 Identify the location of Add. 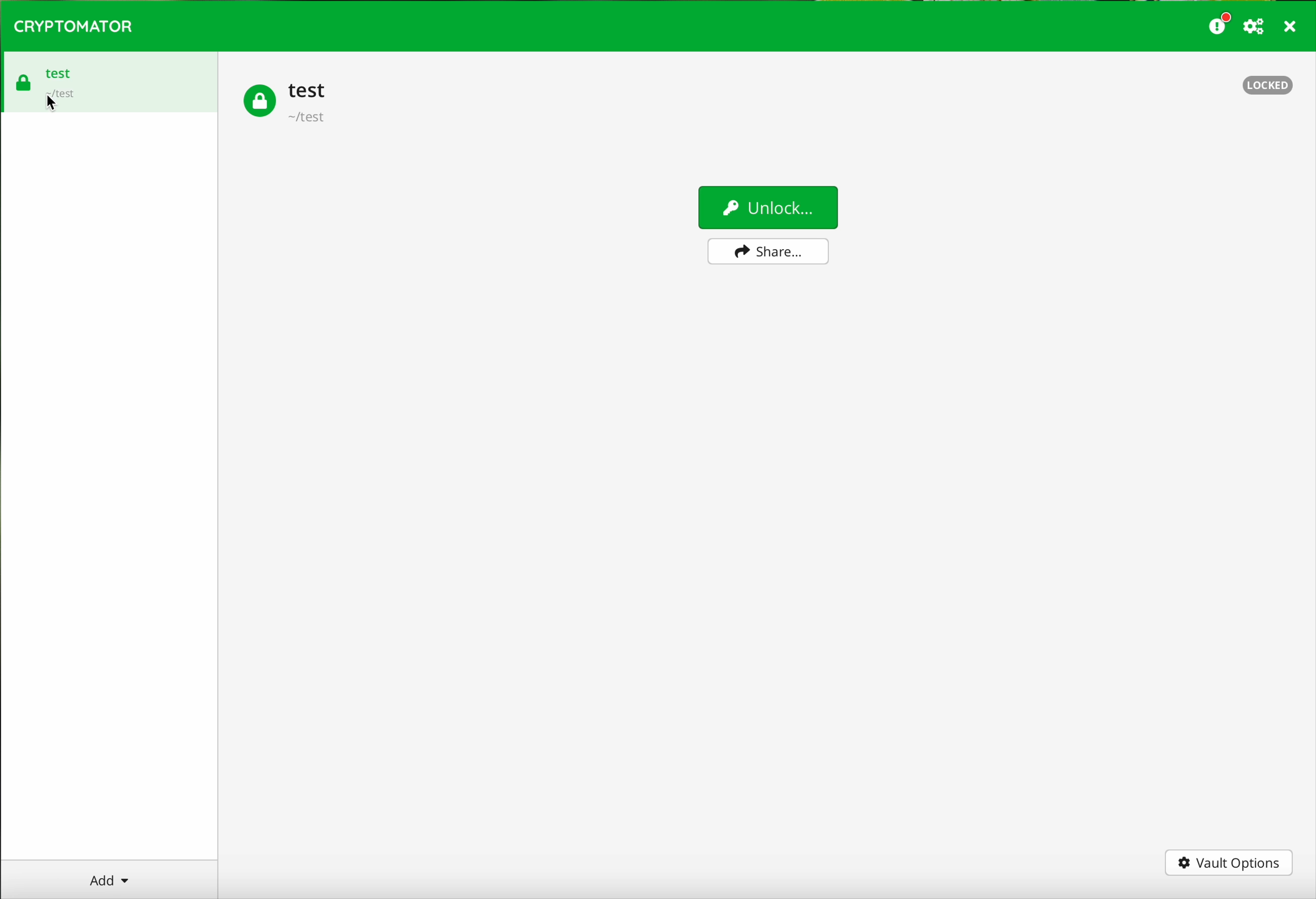
(111, 876).